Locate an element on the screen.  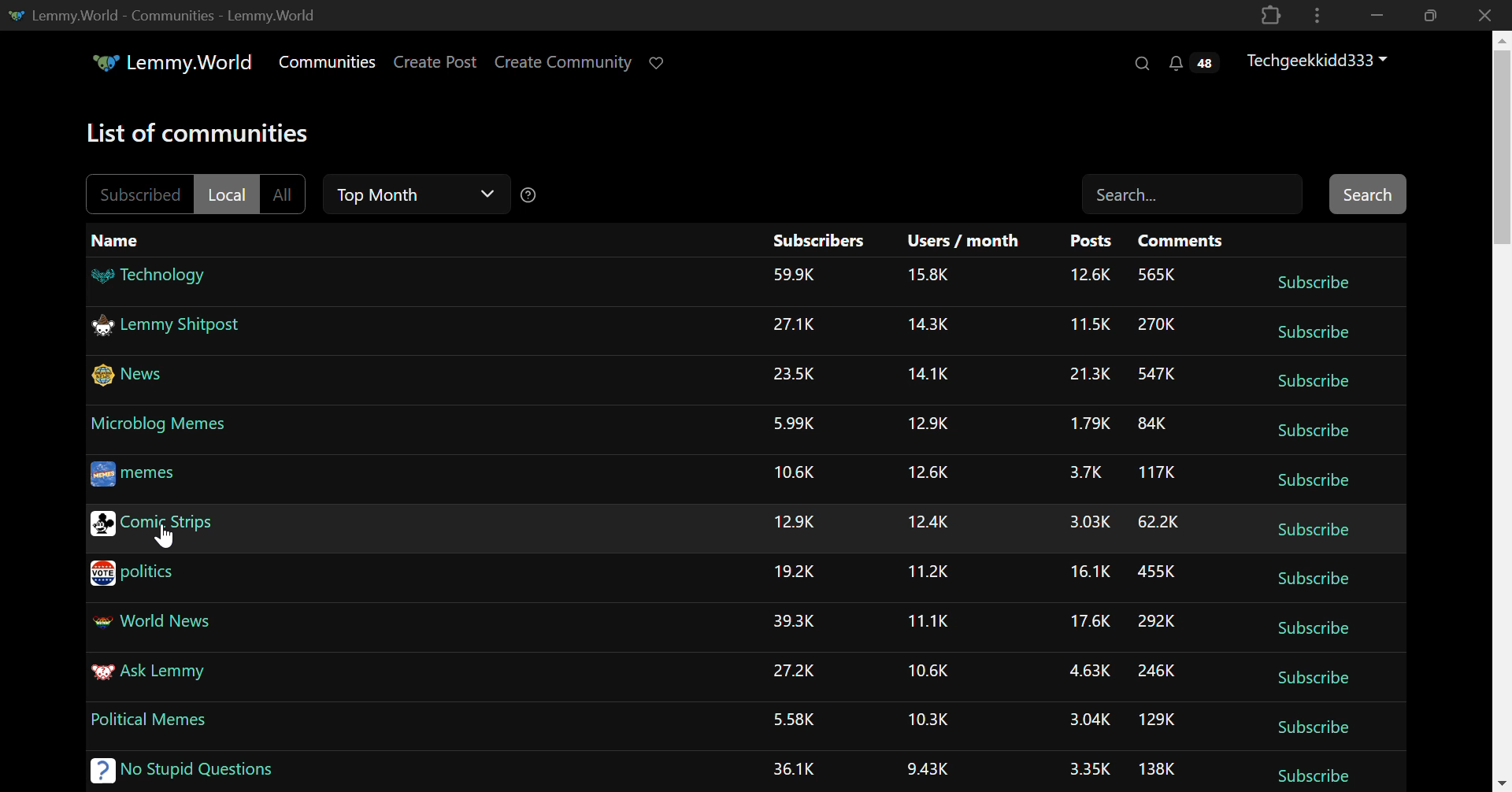
Vertical Scroll Bar is located at coordinates (1503, 418).